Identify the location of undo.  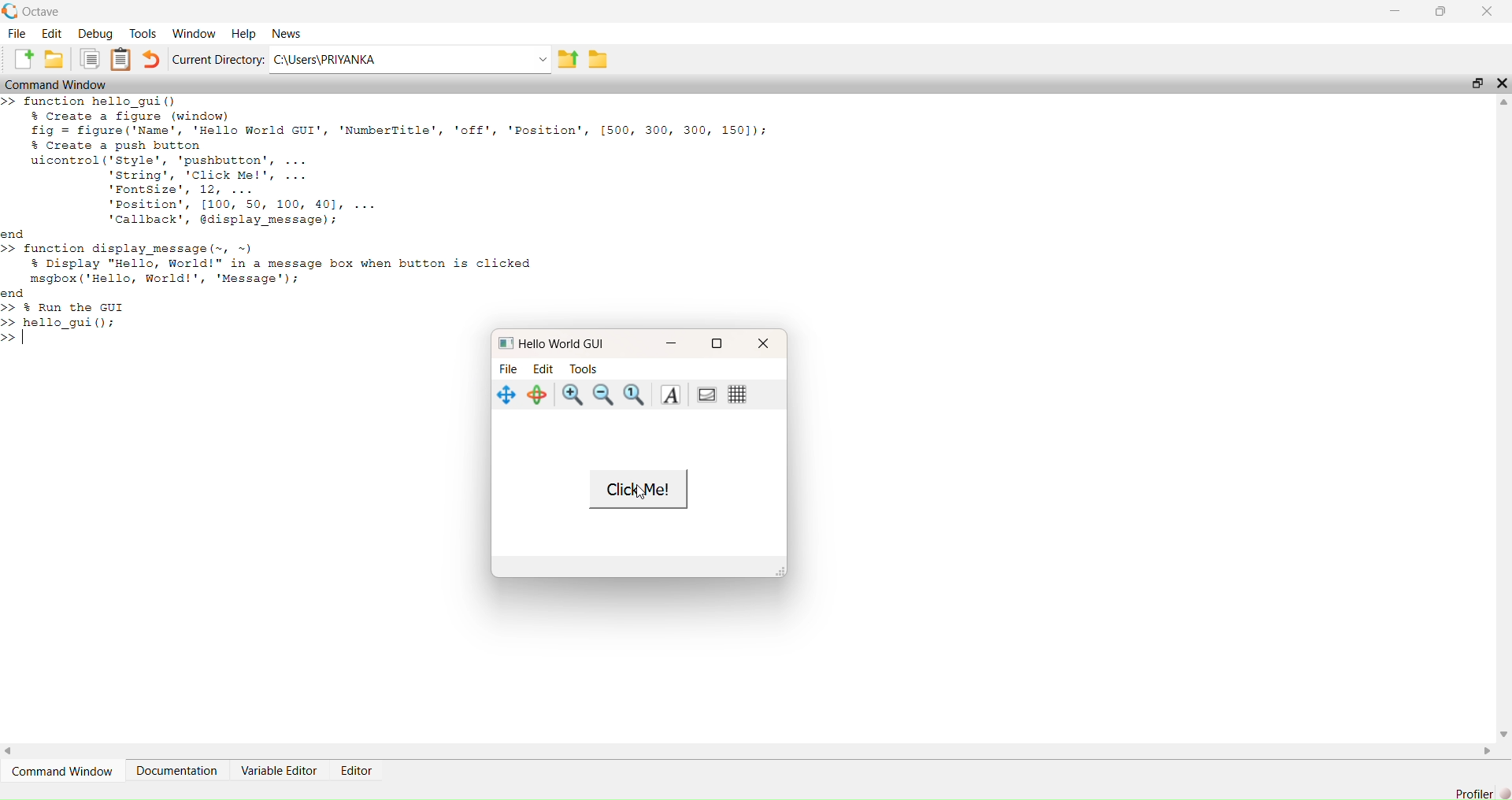
(154, 59).